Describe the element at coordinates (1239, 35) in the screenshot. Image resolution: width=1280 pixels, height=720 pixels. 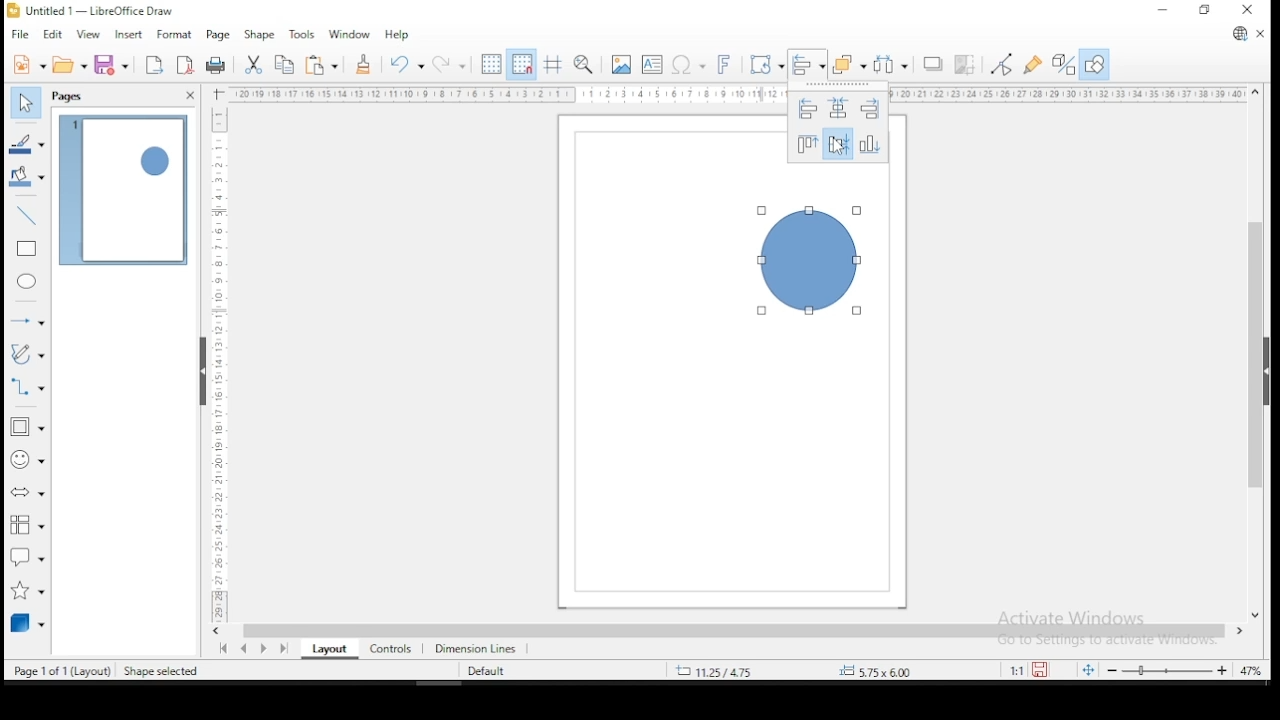
I see `libreoffice update` at that location.